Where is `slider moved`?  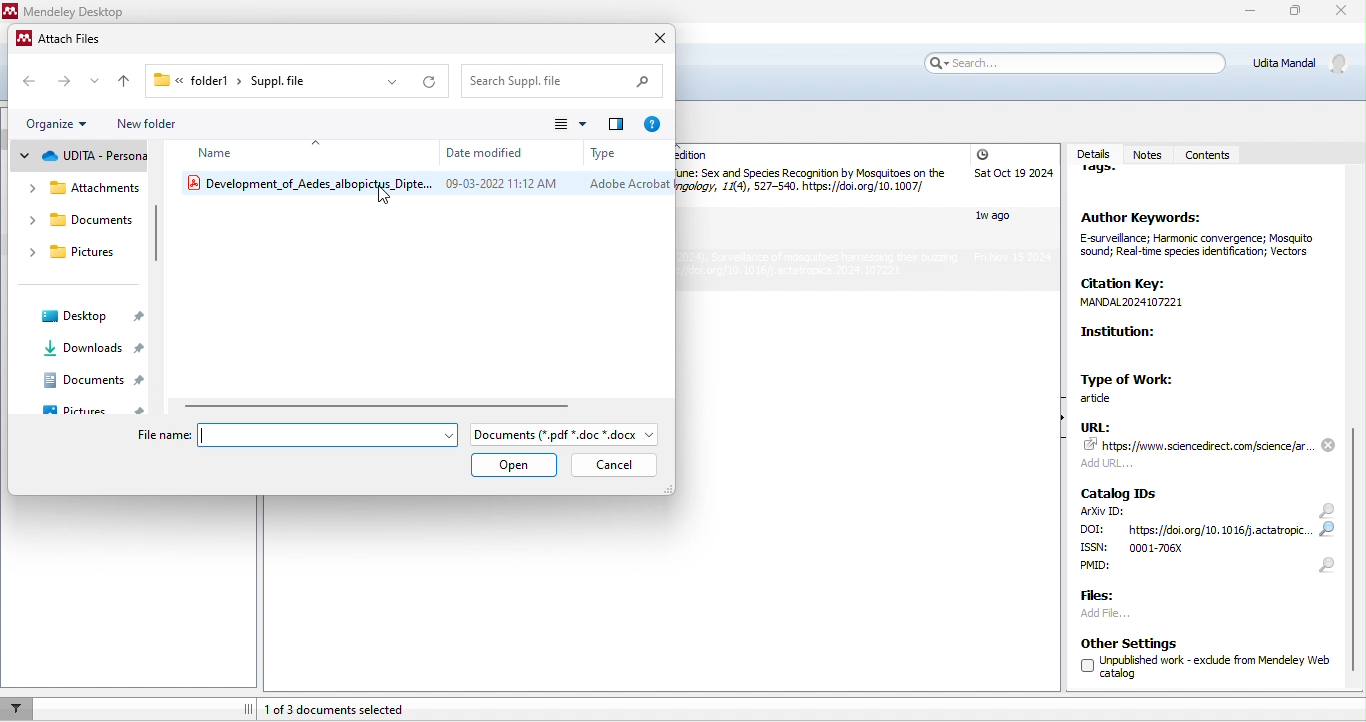 slider moved is located at coordinates (1357, 548).